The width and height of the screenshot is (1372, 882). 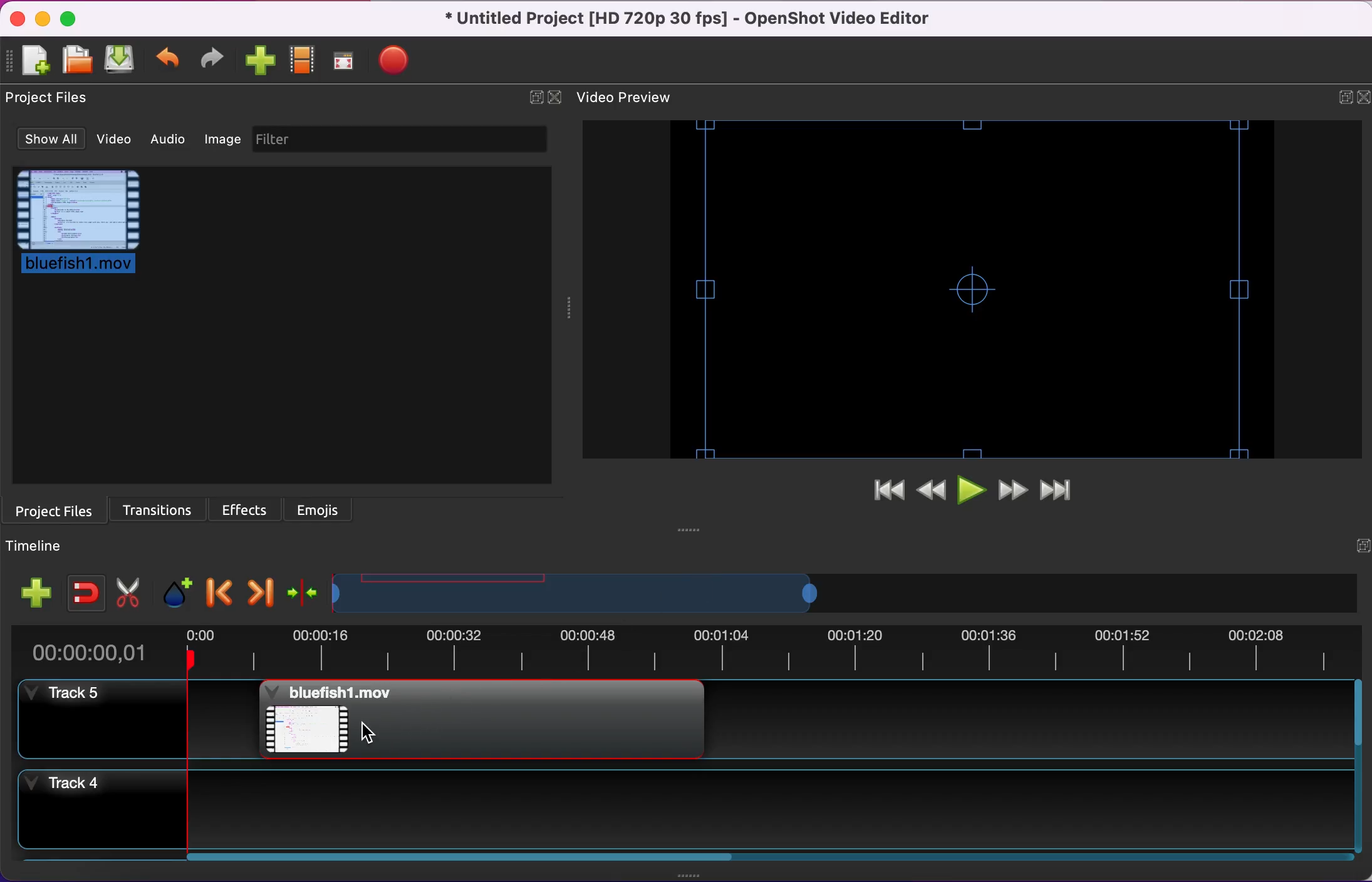 I want to click on project file, so click(x=77, y=222).